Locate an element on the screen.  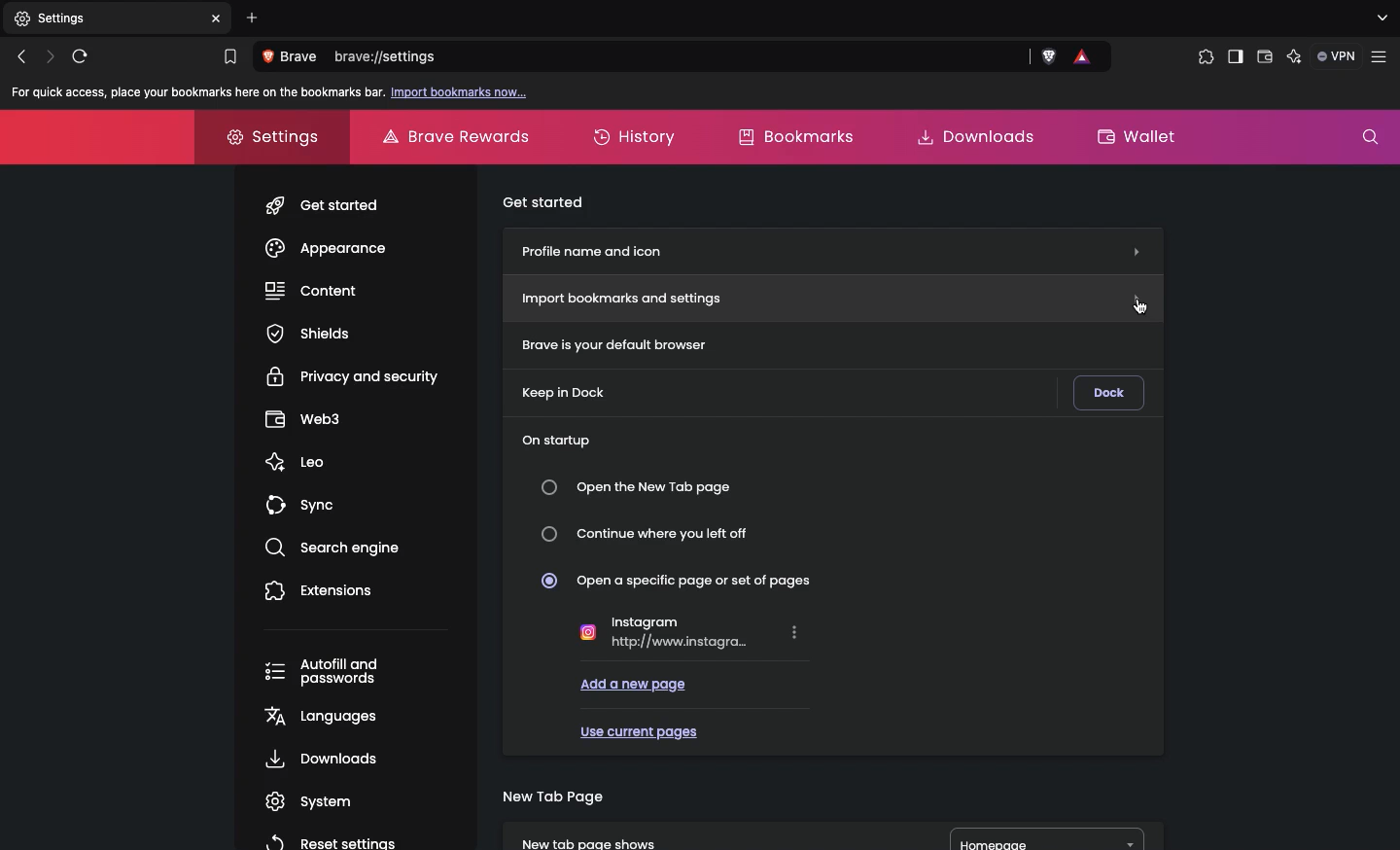
Customize and control brave is located at coordinates (1382, 57).